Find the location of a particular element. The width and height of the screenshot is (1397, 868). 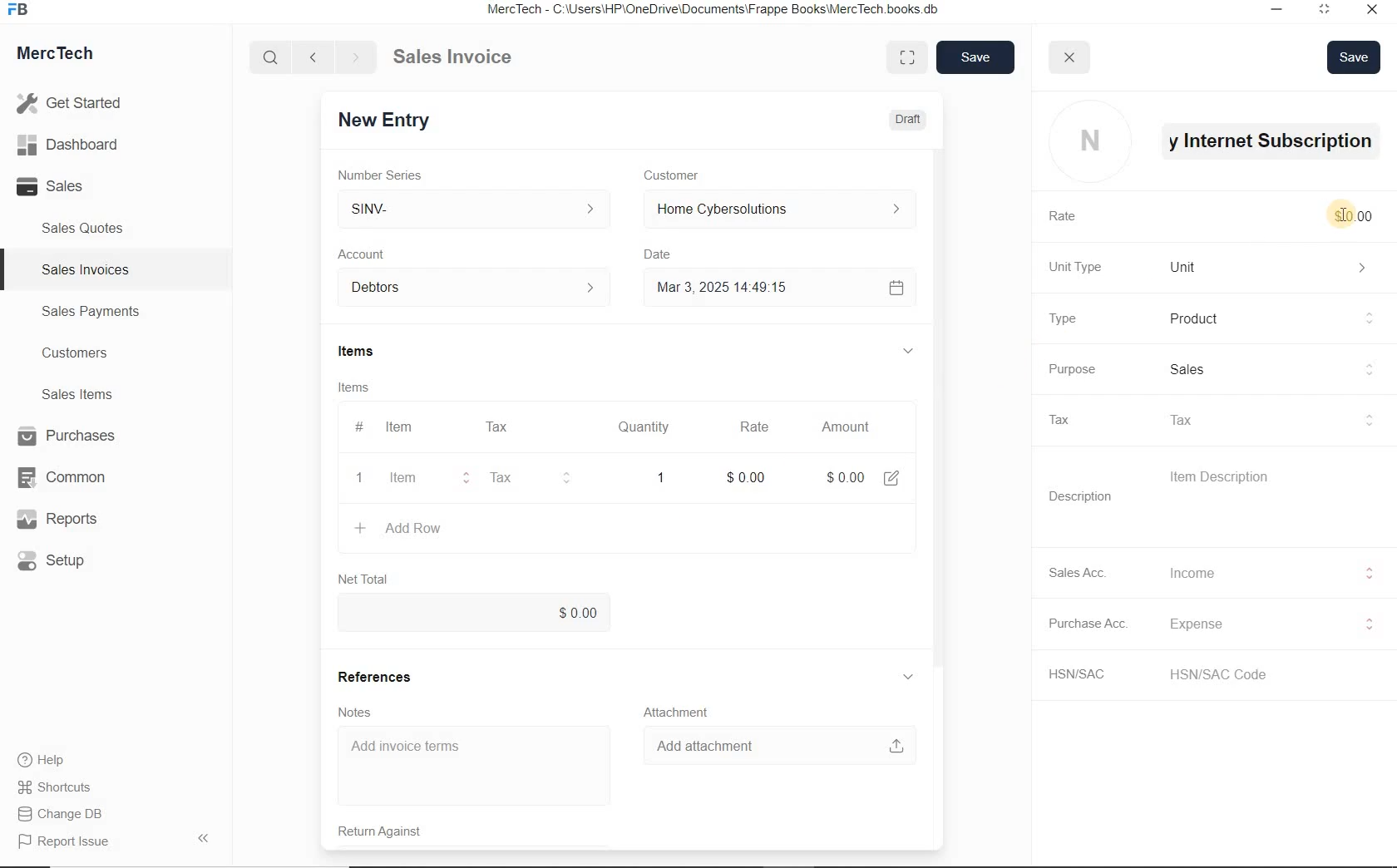

Account is located at coordinates (367, 254).